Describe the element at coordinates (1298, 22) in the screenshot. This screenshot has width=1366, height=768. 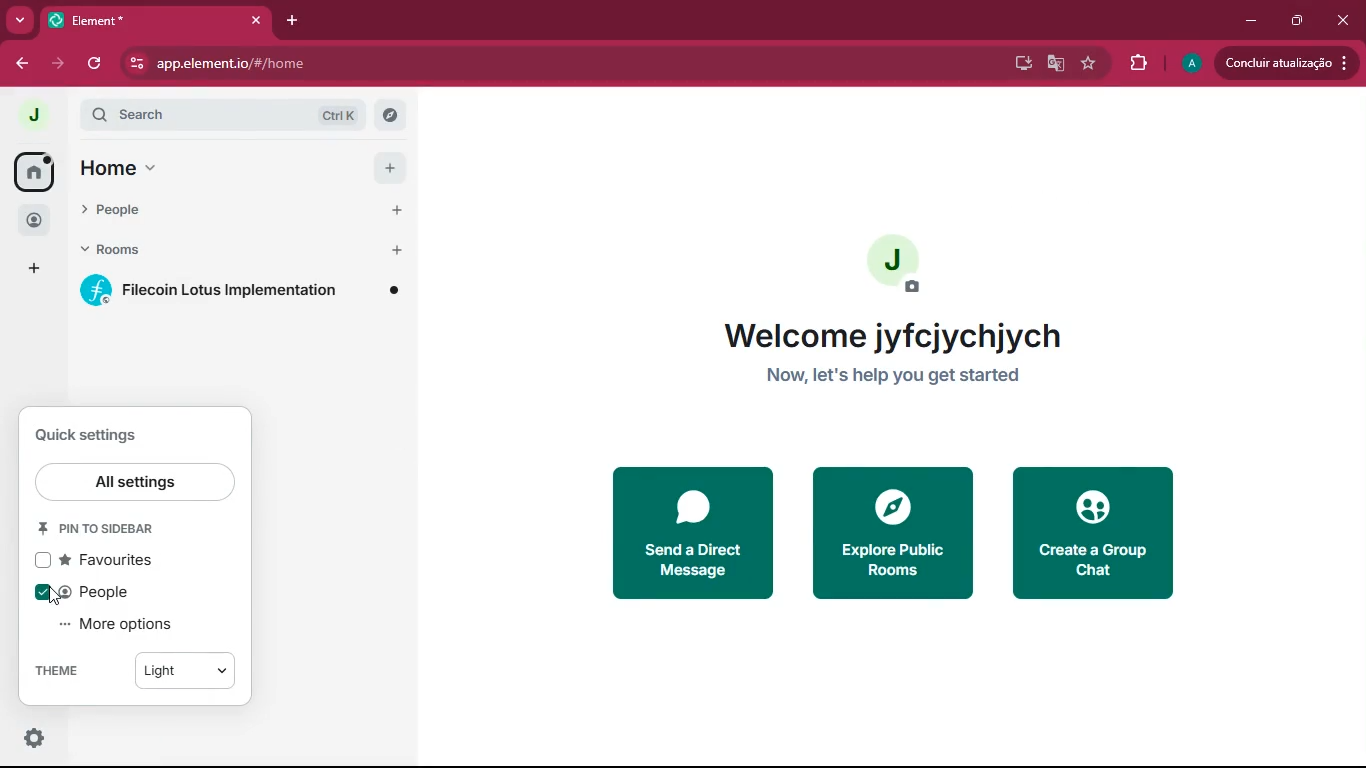
I see `maximize` at that location.